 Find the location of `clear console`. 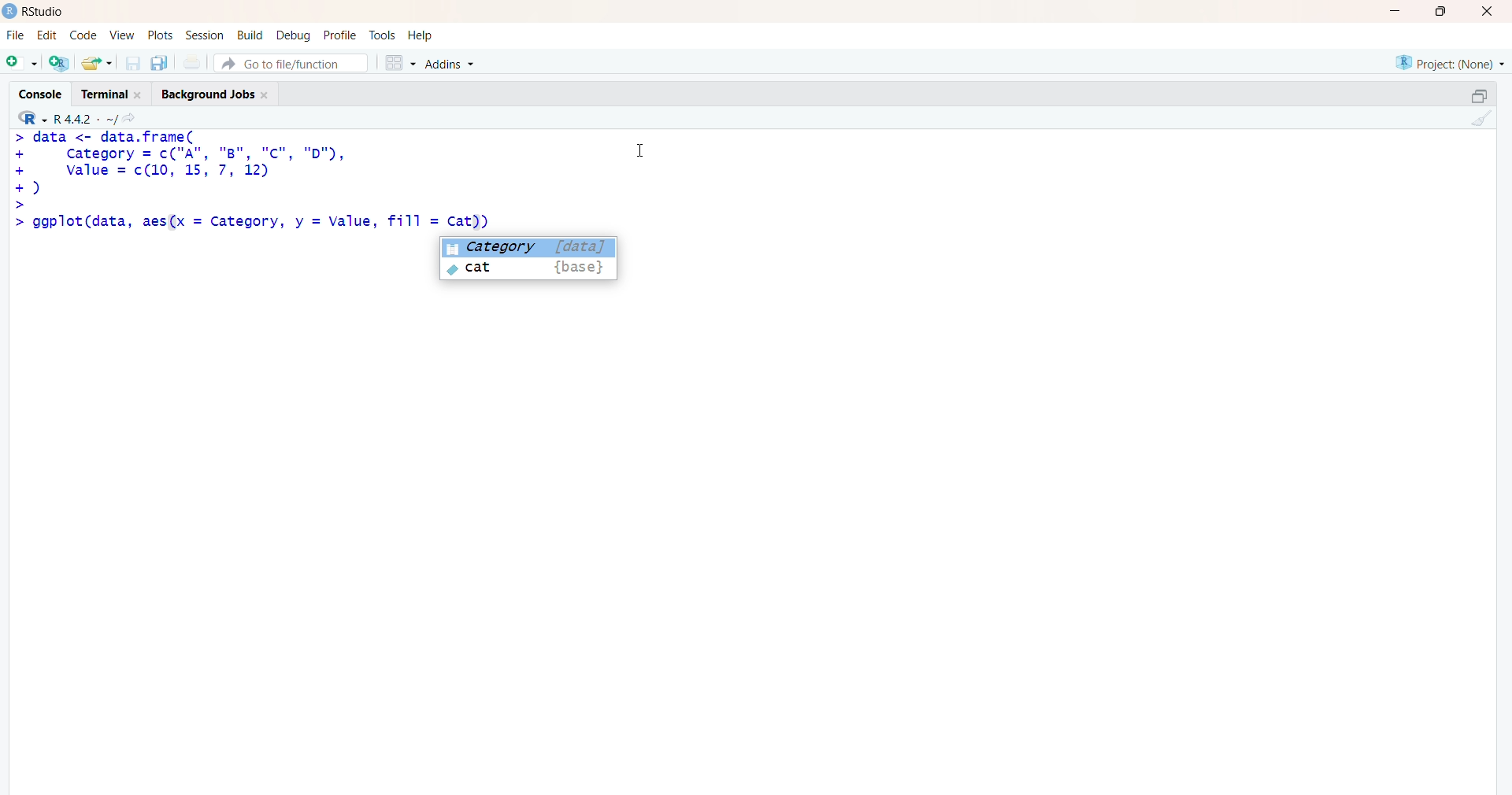

clear console is located at coordinates (1479, 118).